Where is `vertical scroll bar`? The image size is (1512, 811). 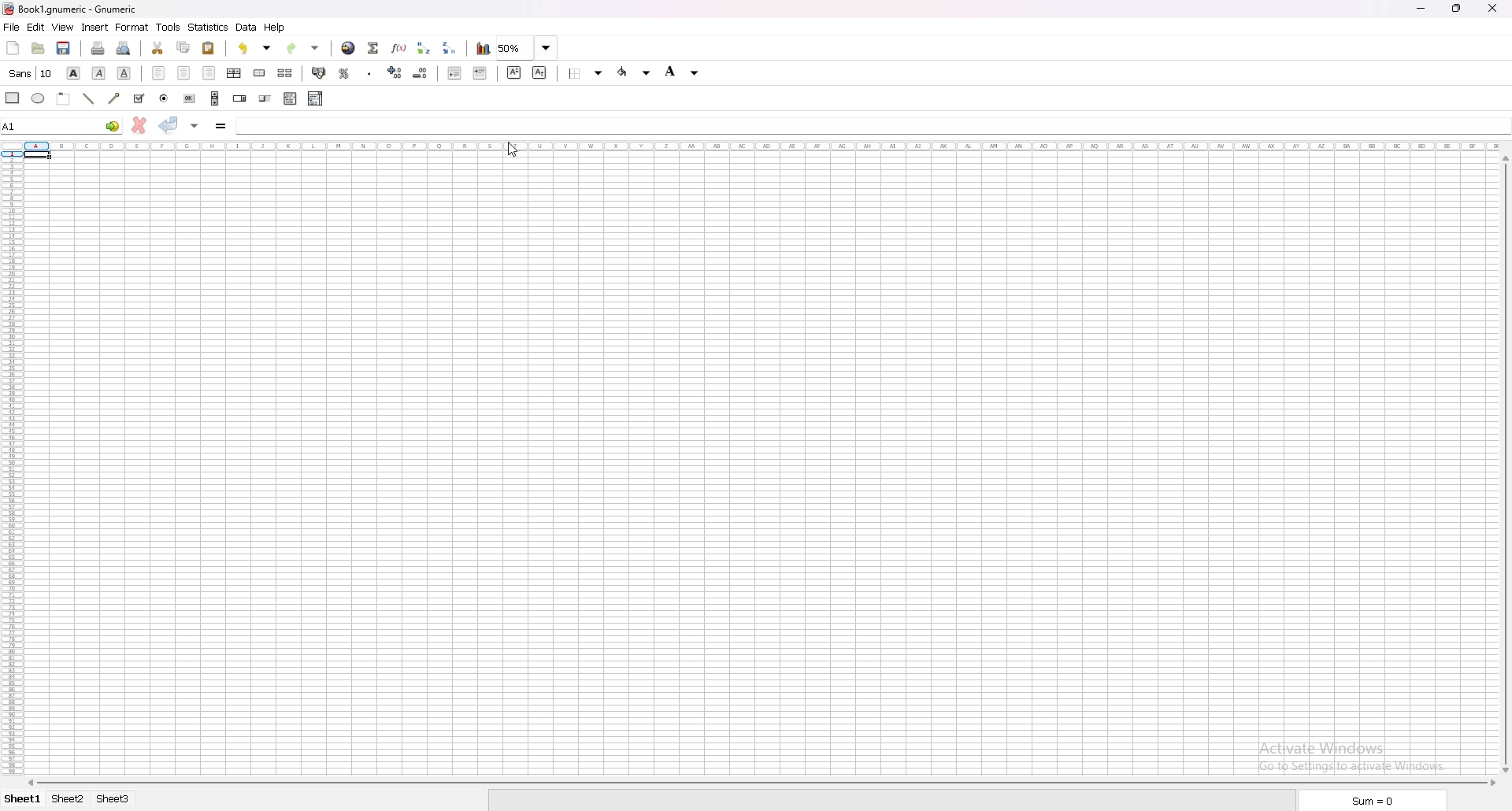 vertical scroll bar is located at coordinates (1508, 464).